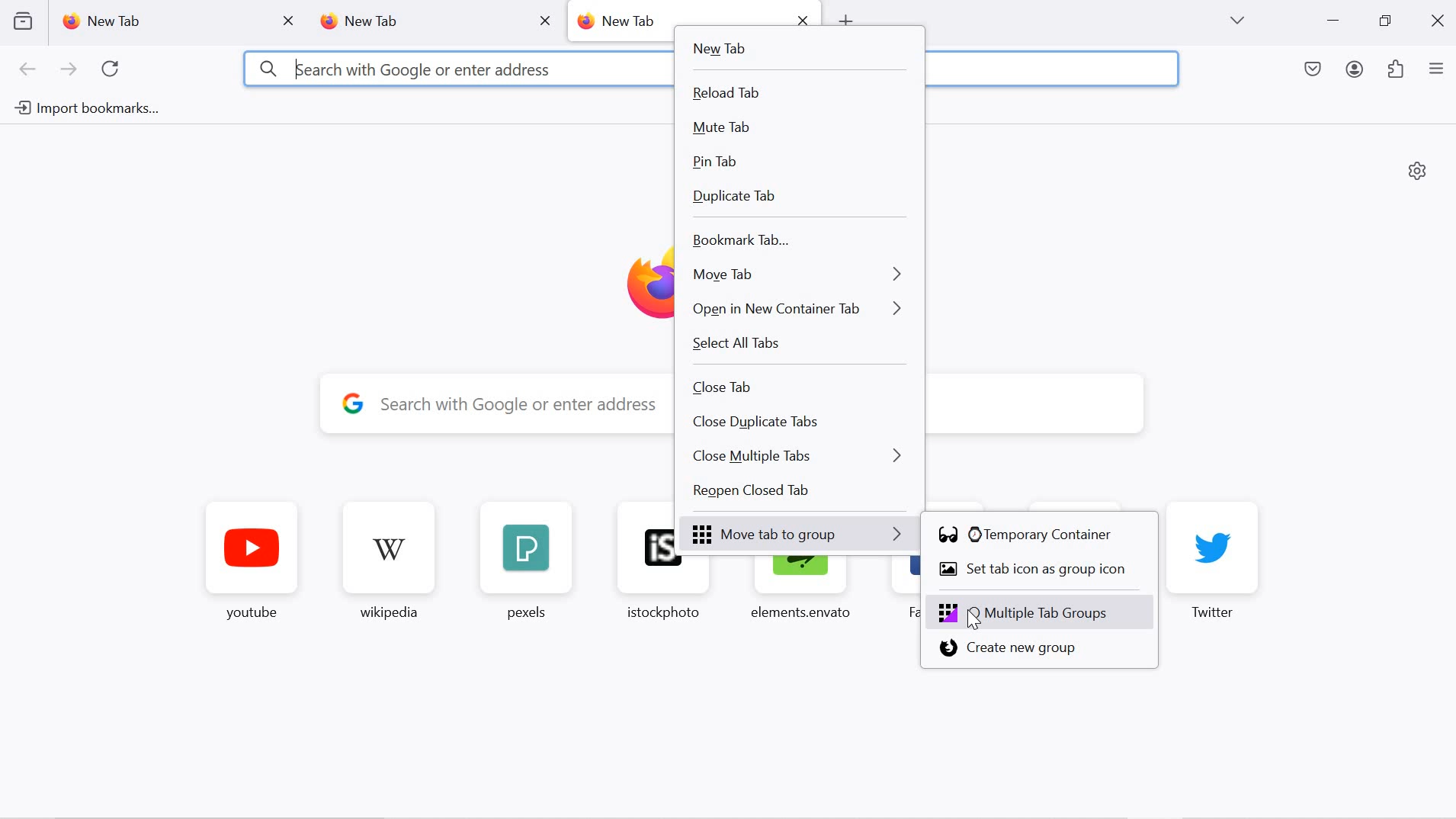 Image resolution: width=1456 pixels, height=819 pixels. Describe the element at coordinates (1436, 70) in the screenshot. I see `application menu` at that location.